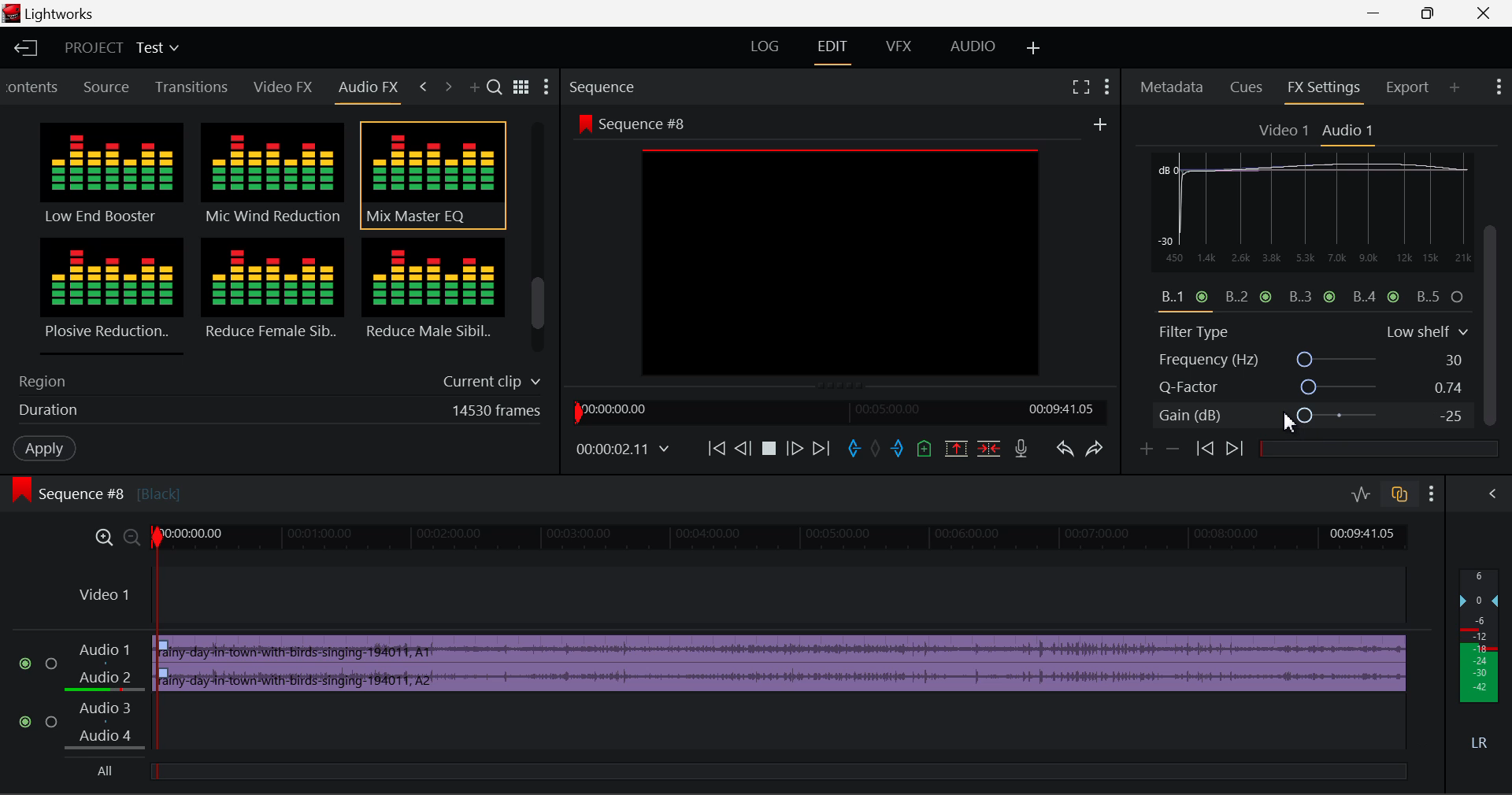 The width and height of the screenshot is (1512, 795). I want to click on Toggle between title and list view, so click(524, 85).